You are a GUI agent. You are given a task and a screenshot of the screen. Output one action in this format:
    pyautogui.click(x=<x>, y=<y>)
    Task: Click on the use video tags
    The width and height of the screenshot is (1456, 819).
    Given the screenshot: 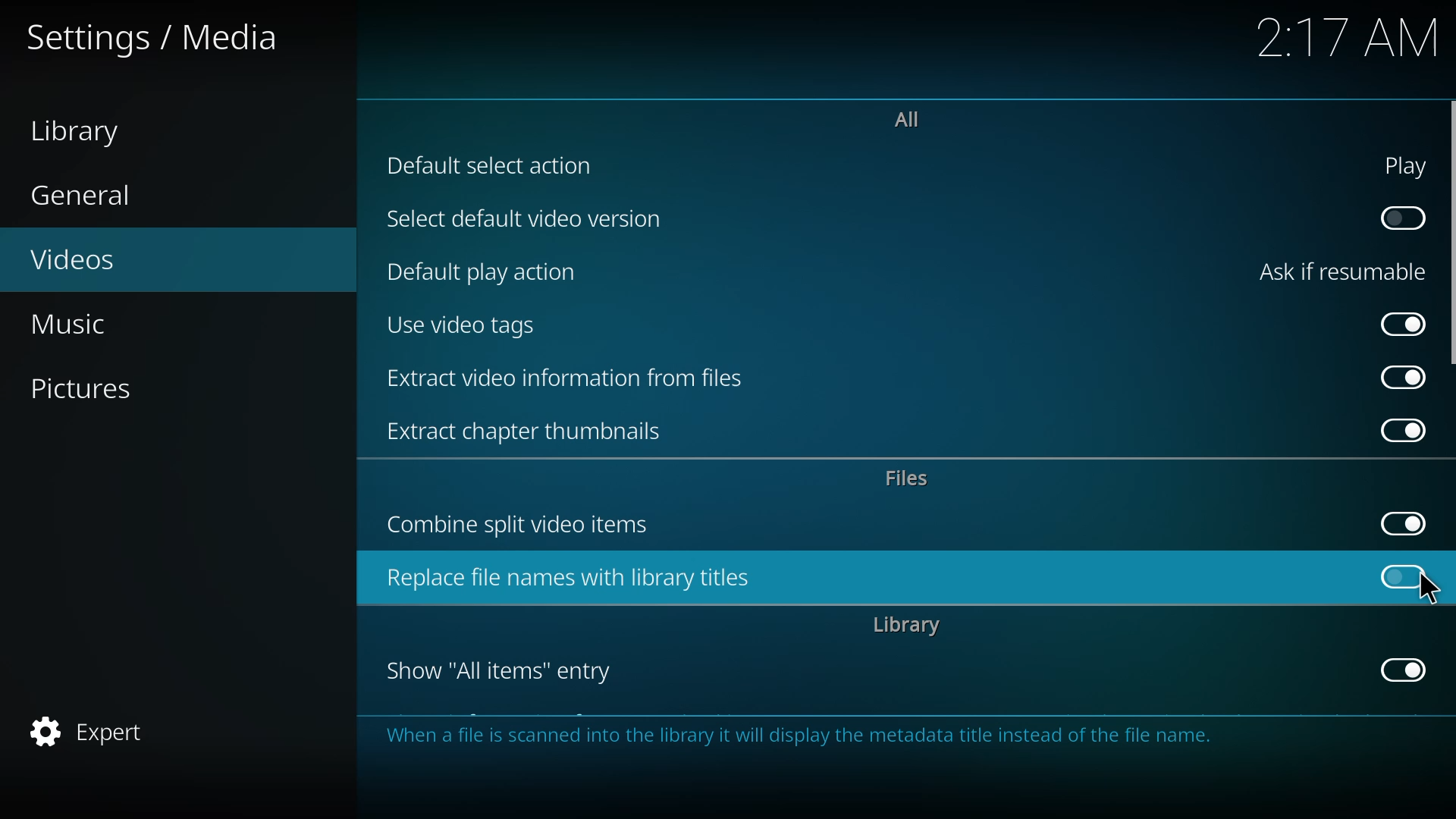 What is the action you would take?
    pyautogui.click(x=466, y=326)
    